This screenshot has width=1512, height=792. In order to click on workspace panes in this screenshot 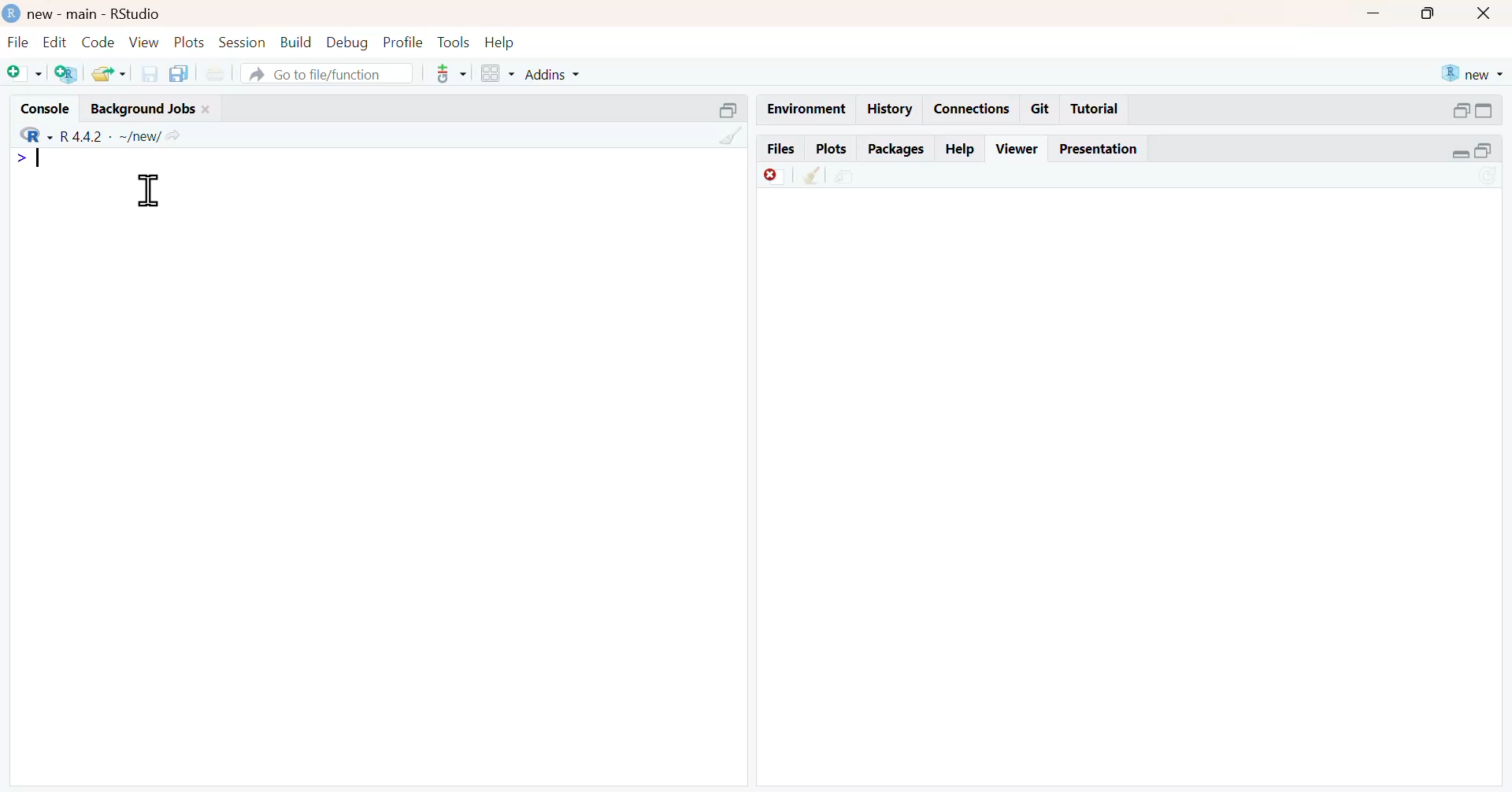, I will do `click(495, 73)`.